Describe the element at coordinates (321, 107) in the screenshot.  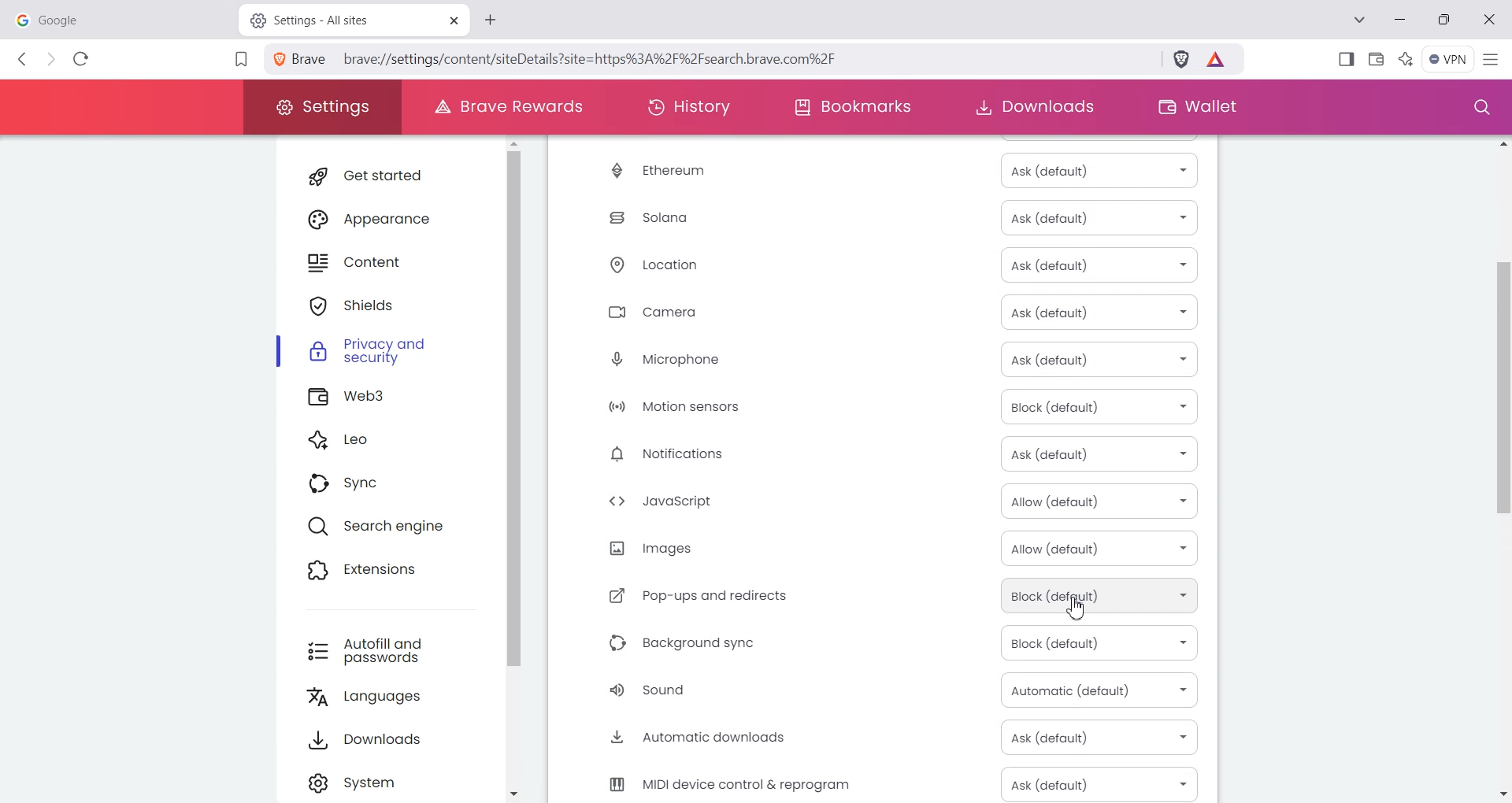
I see `Settings` at that location.